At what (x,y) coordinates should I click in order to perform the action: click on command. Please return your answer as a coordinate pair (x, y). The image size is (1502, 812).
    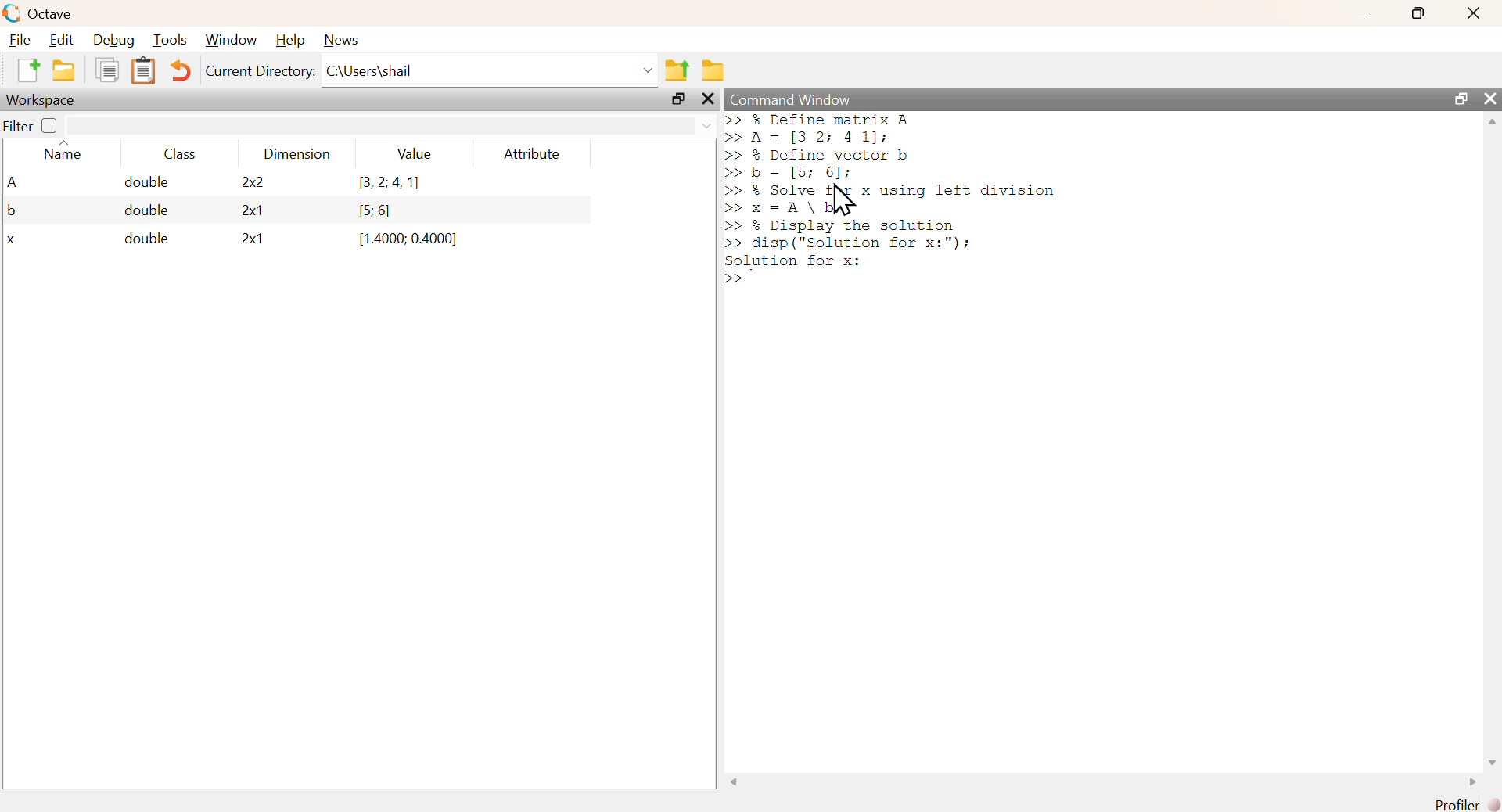
    Looking at the image, I should click on (1035, 203).